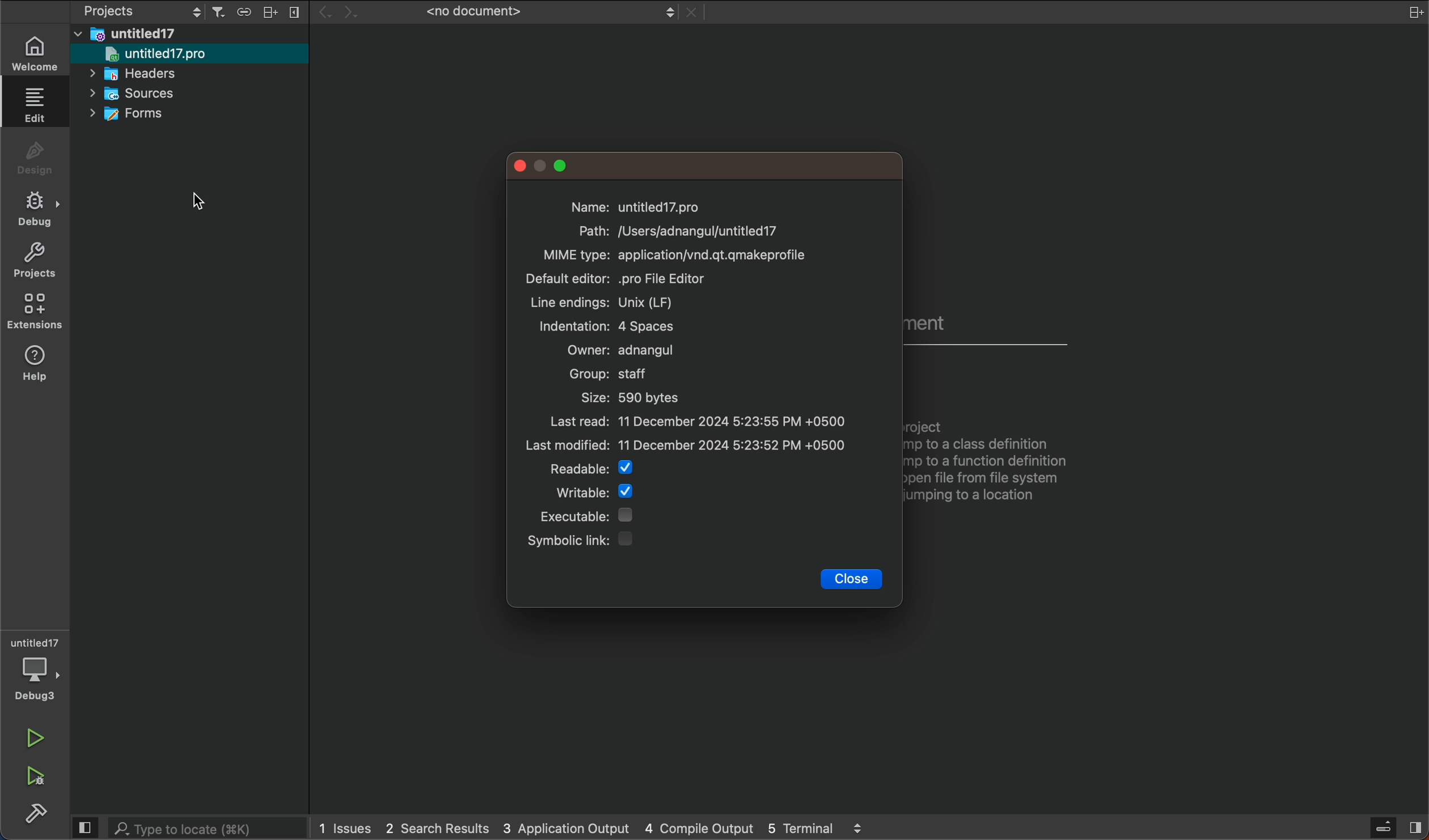 This screenshot has height=840, width=1429. Describe the element at coordinates (37, 364) in the screenshot. I see `help` at that location.